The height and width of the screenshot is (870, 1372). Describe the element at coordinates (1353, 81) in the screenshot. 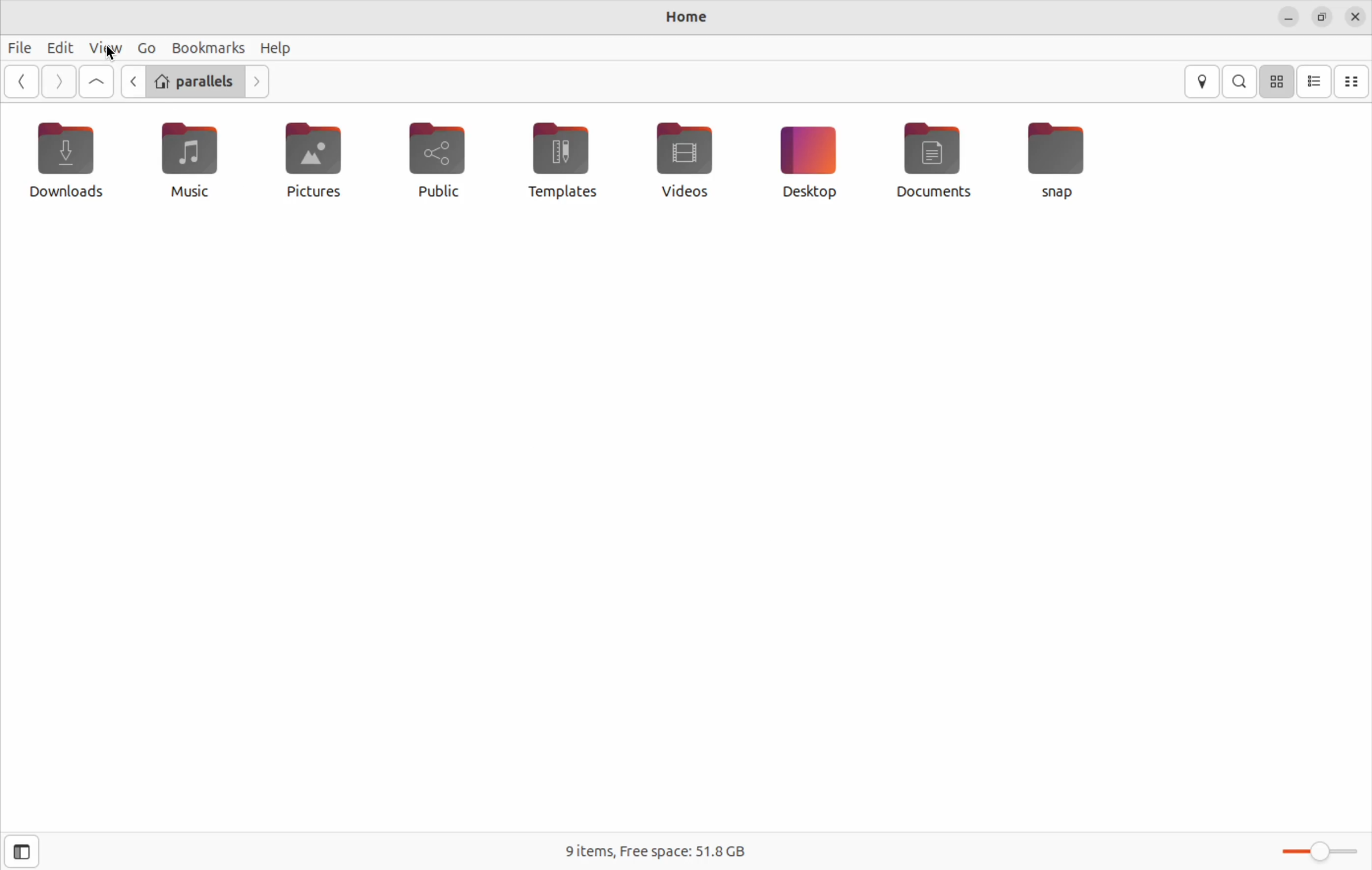

I see `compact view` at that location.